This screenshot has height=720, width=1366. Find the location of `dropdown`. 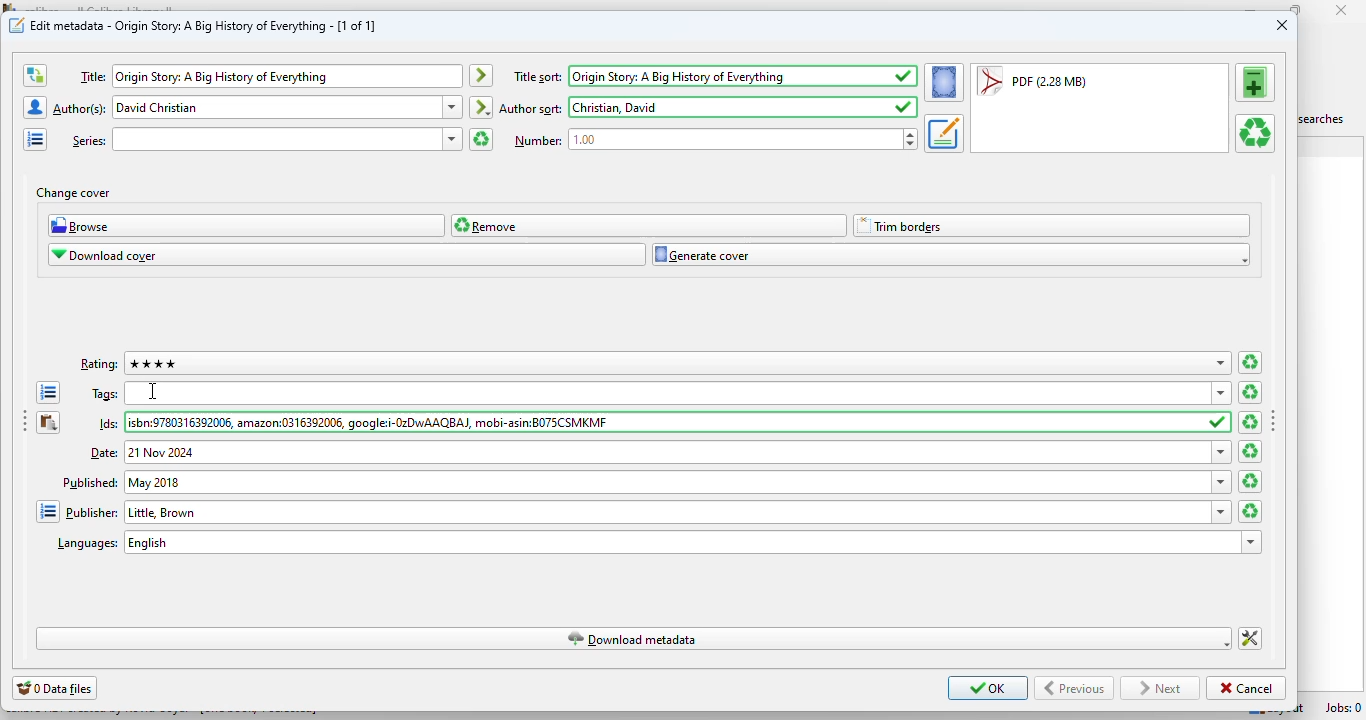

dropdown is located at coordinates (1222, 512).